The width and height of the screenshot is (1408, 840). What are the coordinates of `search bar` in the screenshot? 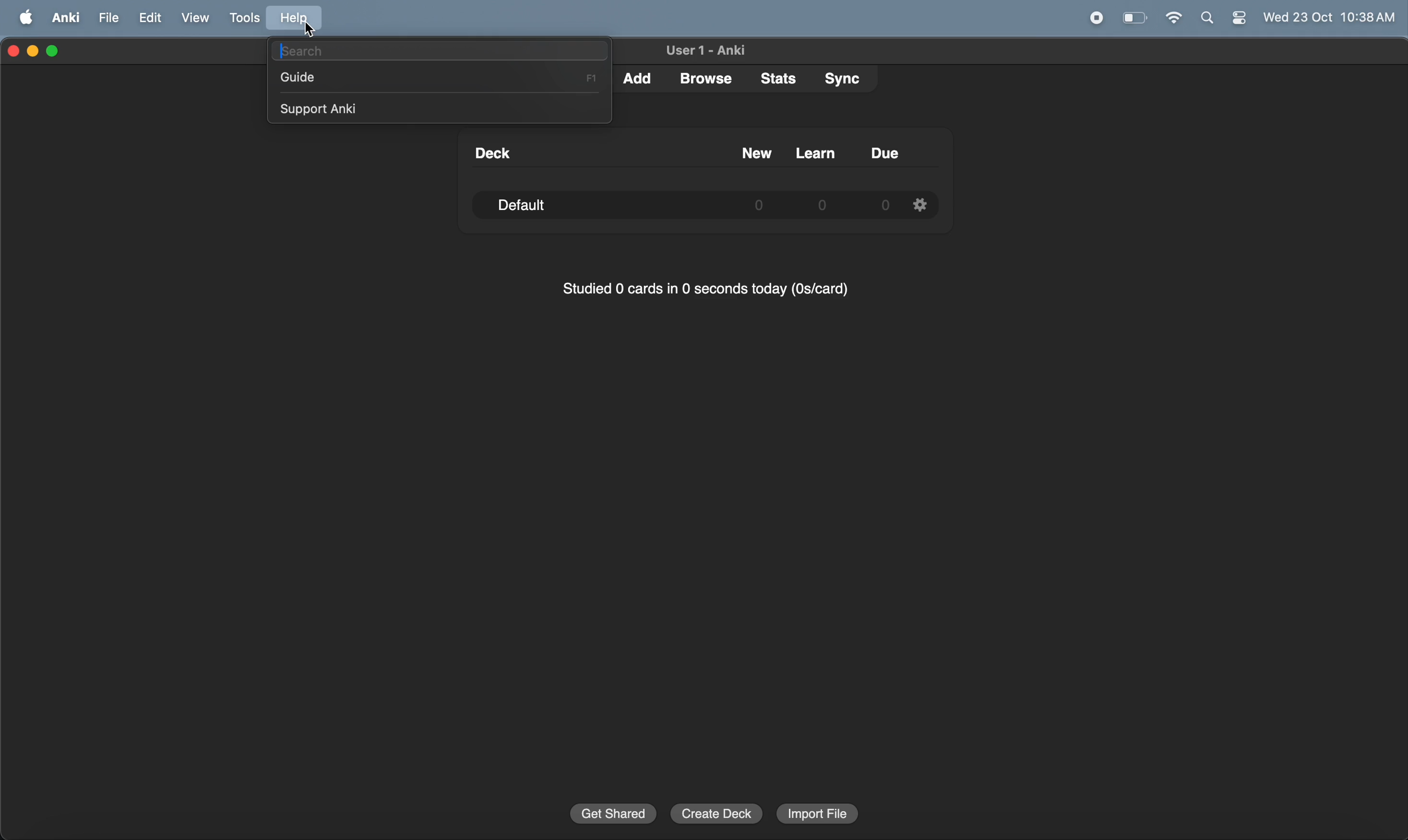 It's located at (440, 50).